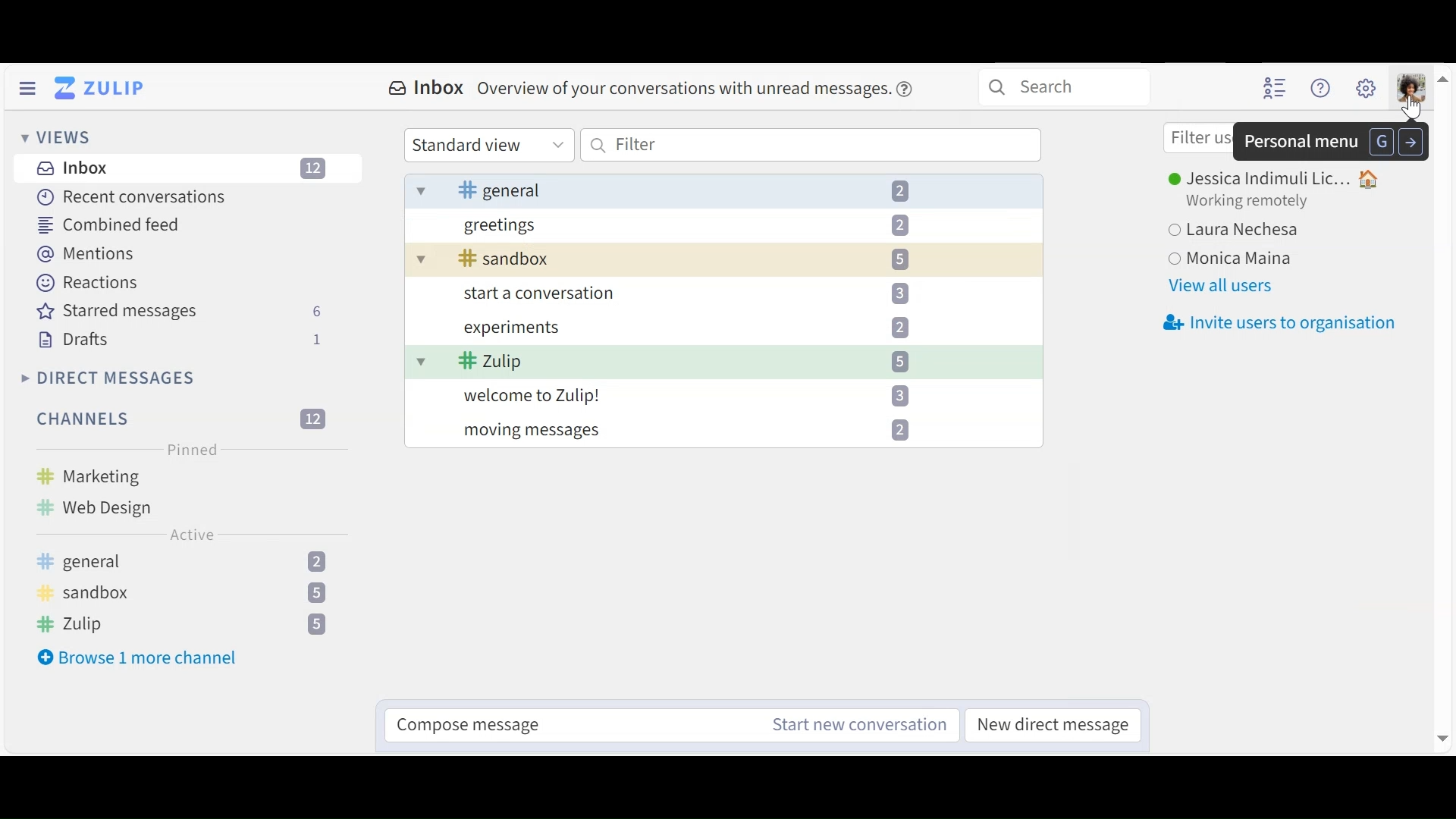  What do you see at coordinates (1252, 202) in the screenshot?
I see `Status` at bounding box center [1252, 202].